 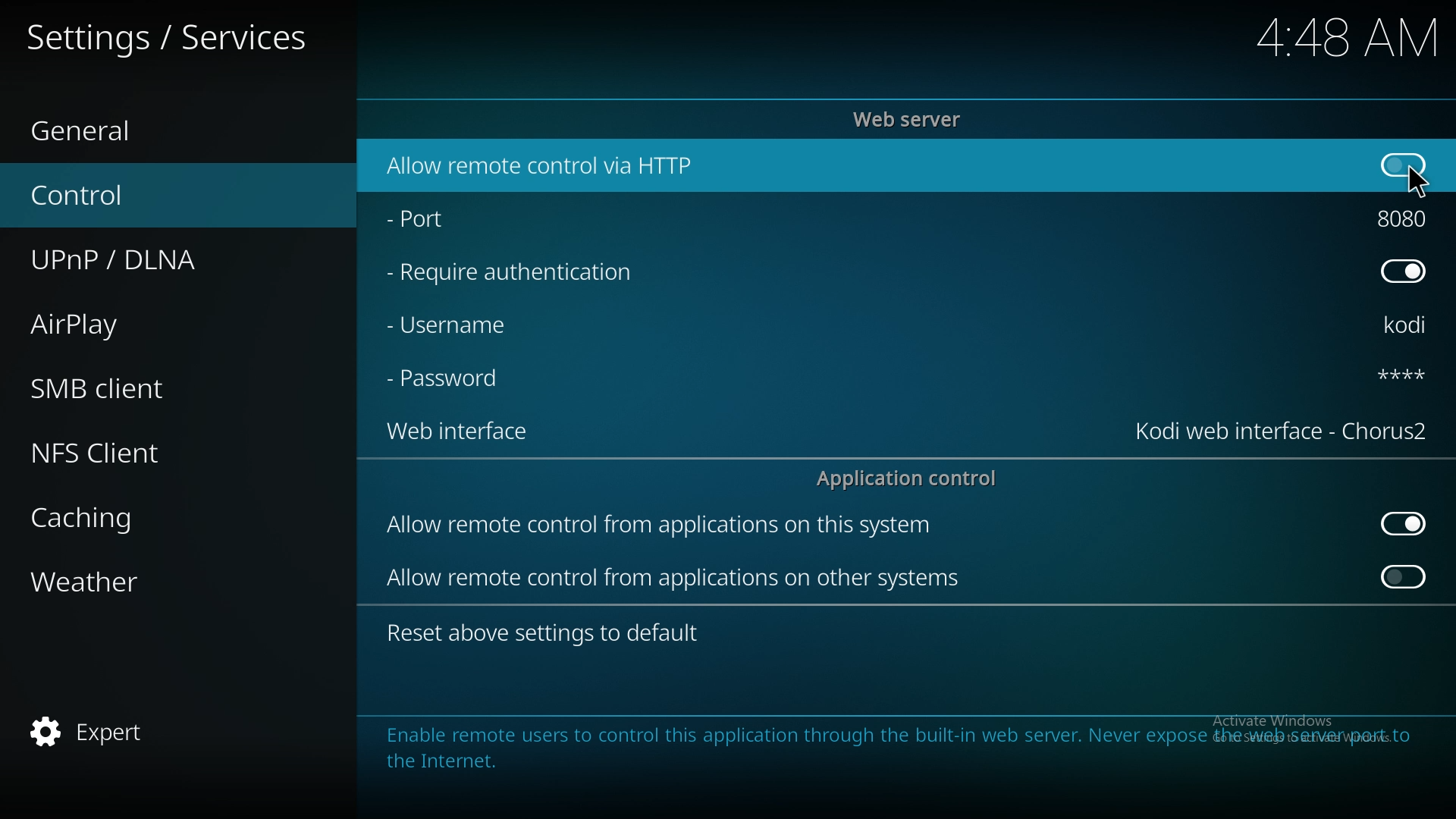 What do you see at coordinates (121, 448) in the screenshot?
I see `nfs client` at bounding box center [121, 448].